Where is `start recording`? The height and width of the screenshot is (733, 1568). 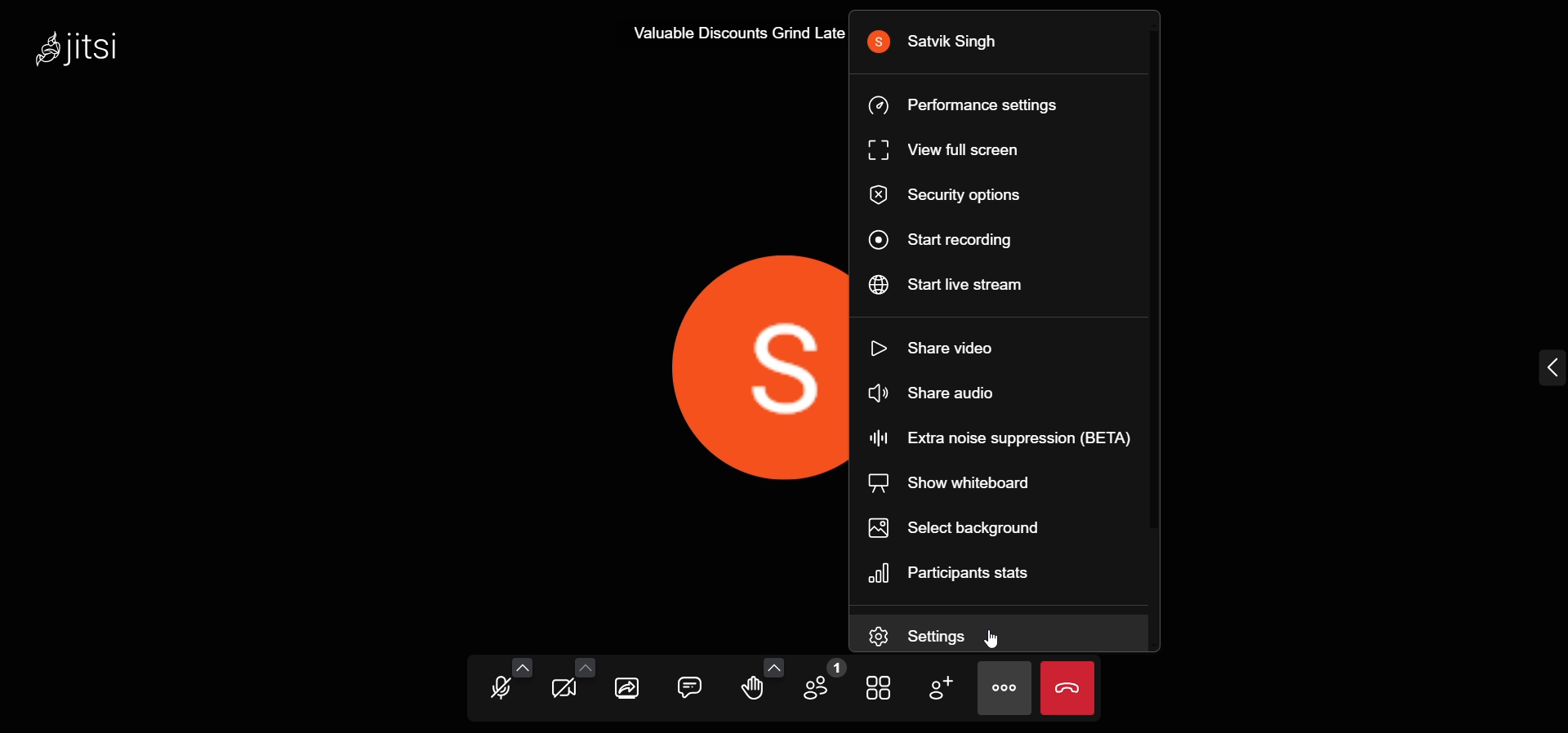 start recording is located at coordinates (947, 238).